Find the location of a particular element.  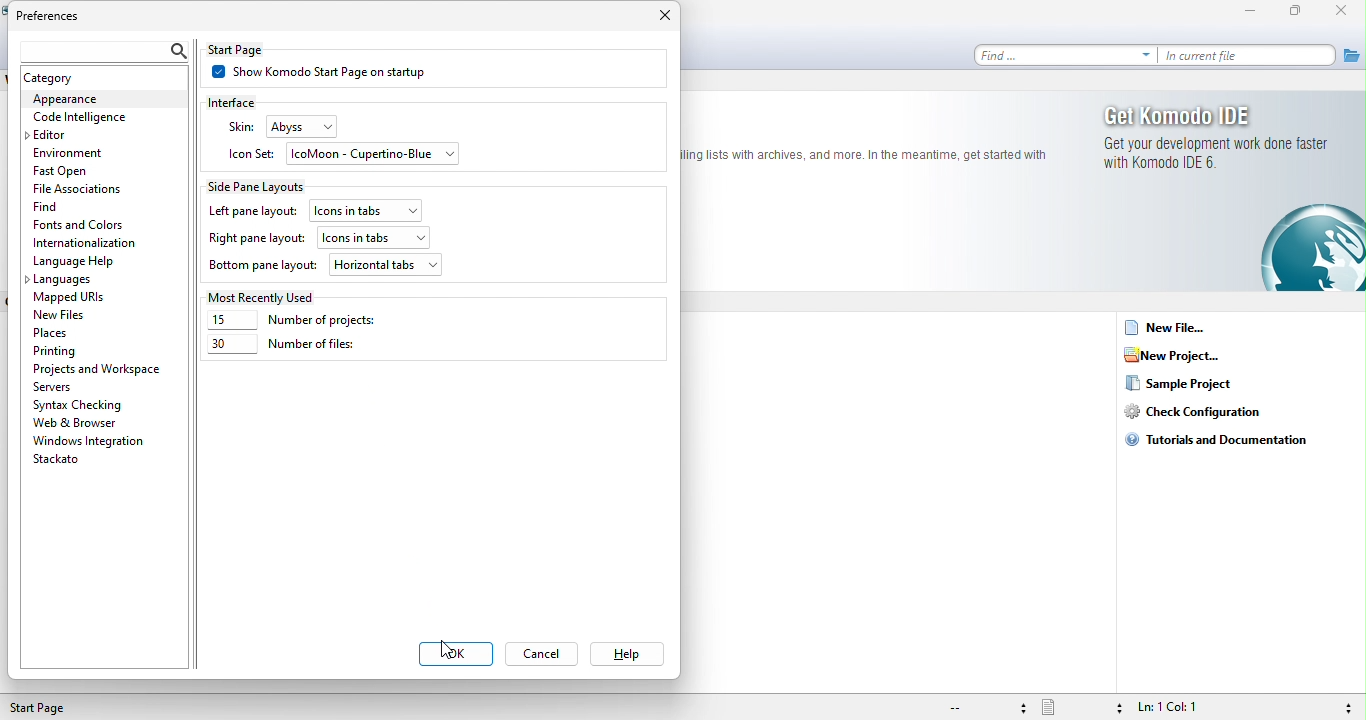

windows integration is located at coordinates (89, 441).